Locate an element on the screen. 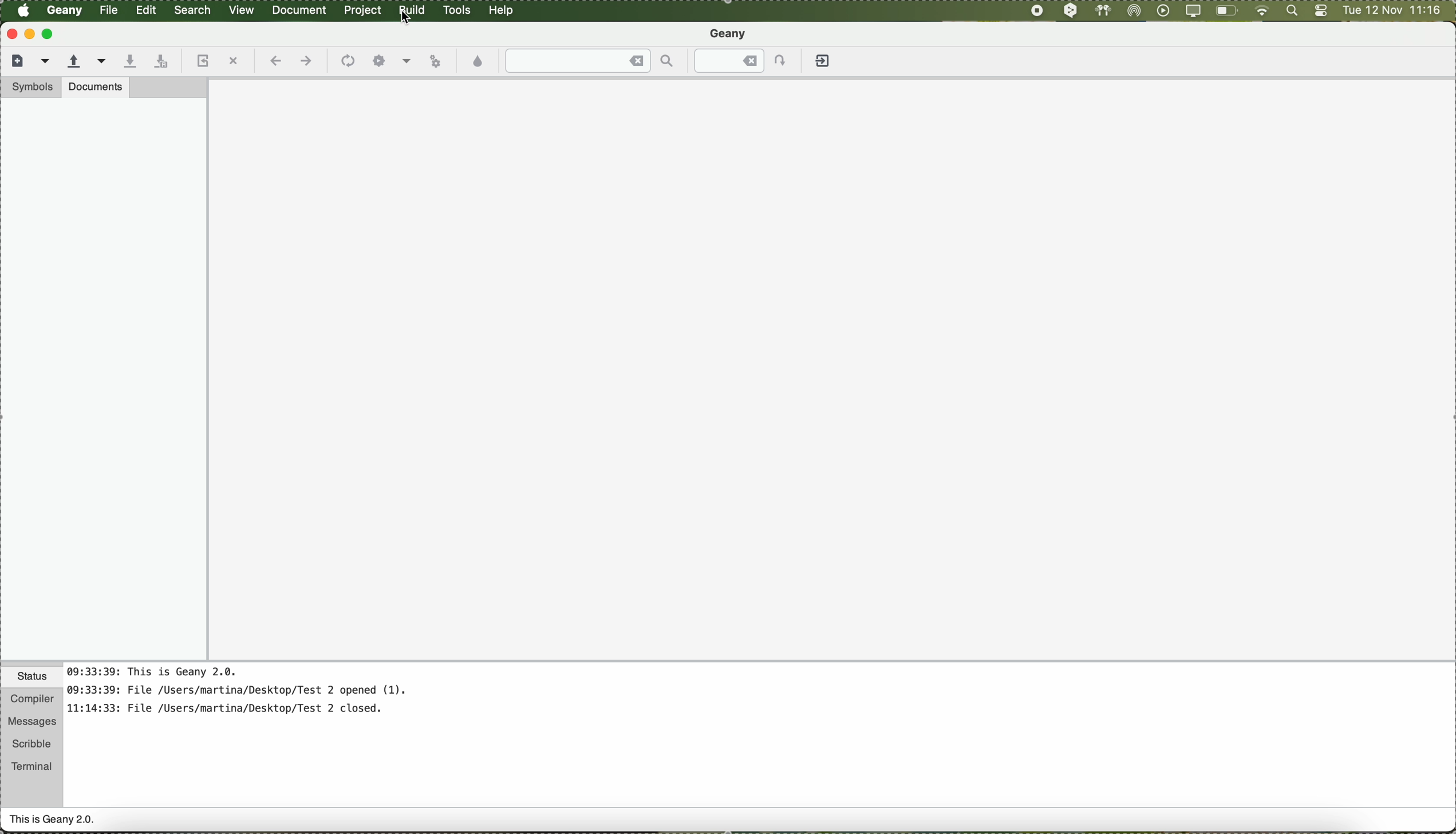 The height and width of the screenshot is (834, 1456). icon is located at coordinates (346, 62).